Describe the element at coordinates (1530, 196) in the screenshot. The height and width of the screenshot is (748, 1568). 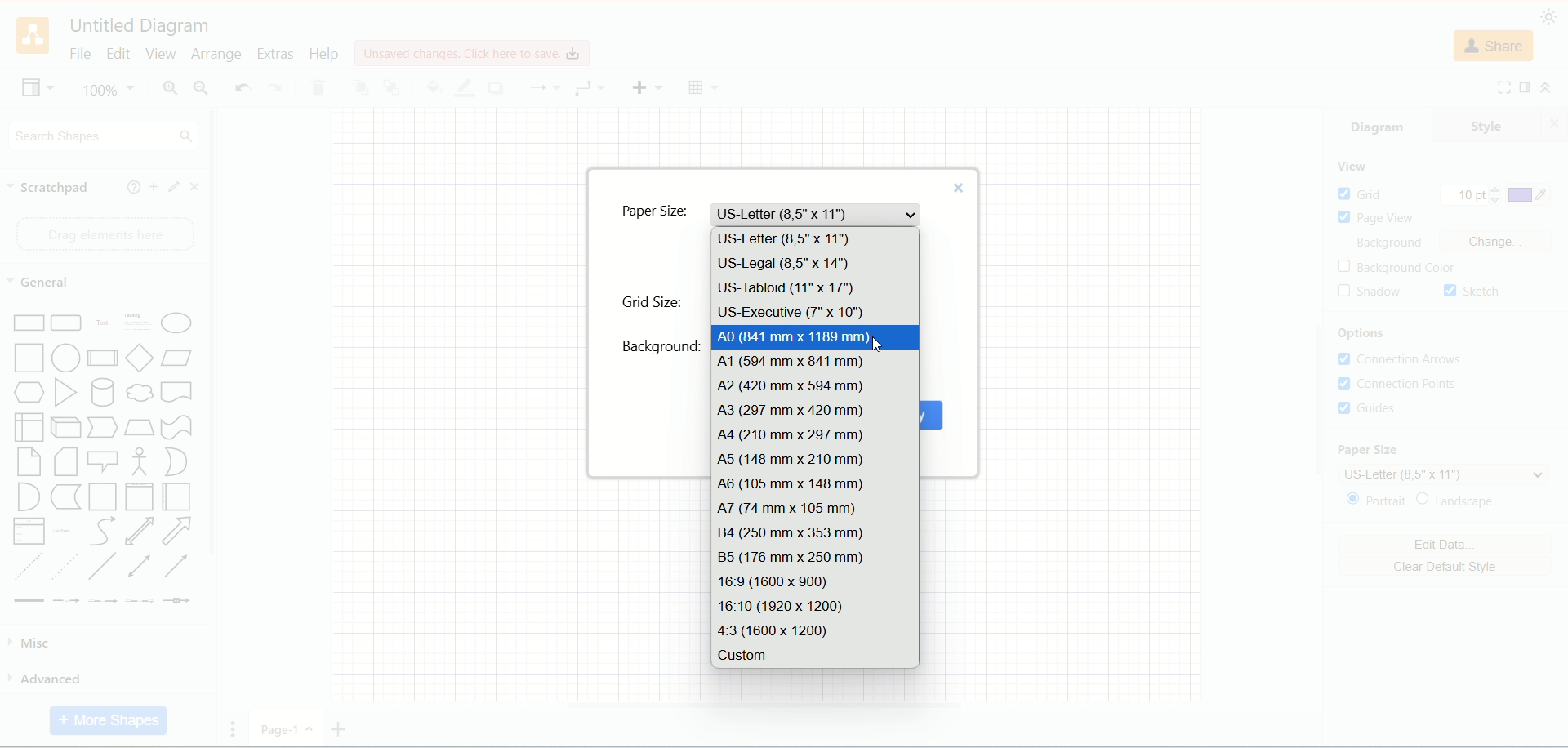
I see `color` at that location.